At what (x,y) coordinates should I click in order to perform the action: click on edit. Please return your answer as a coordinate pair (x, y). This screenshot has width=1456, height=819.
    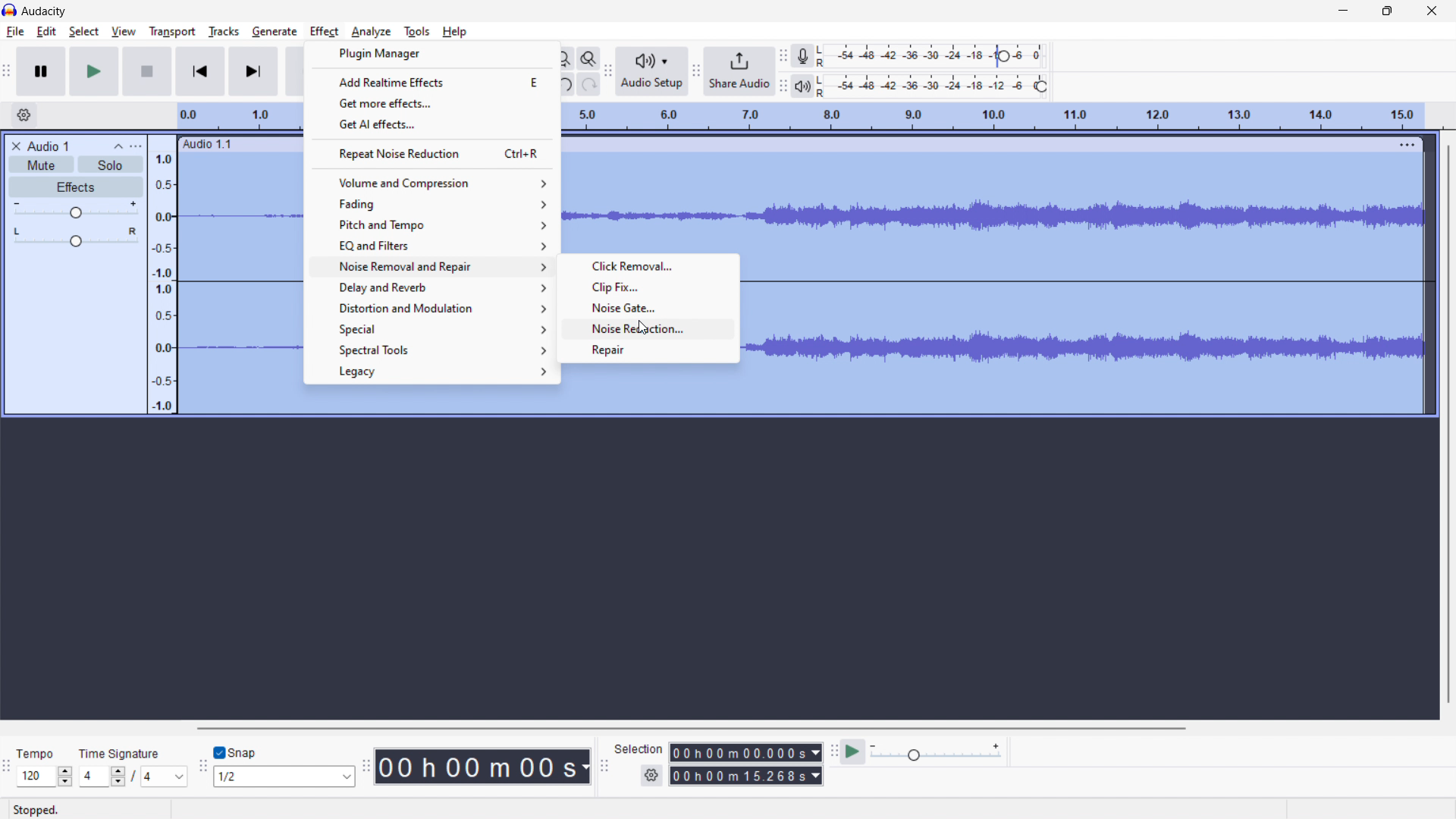
    Looking at the image, I should click on (47, 32).